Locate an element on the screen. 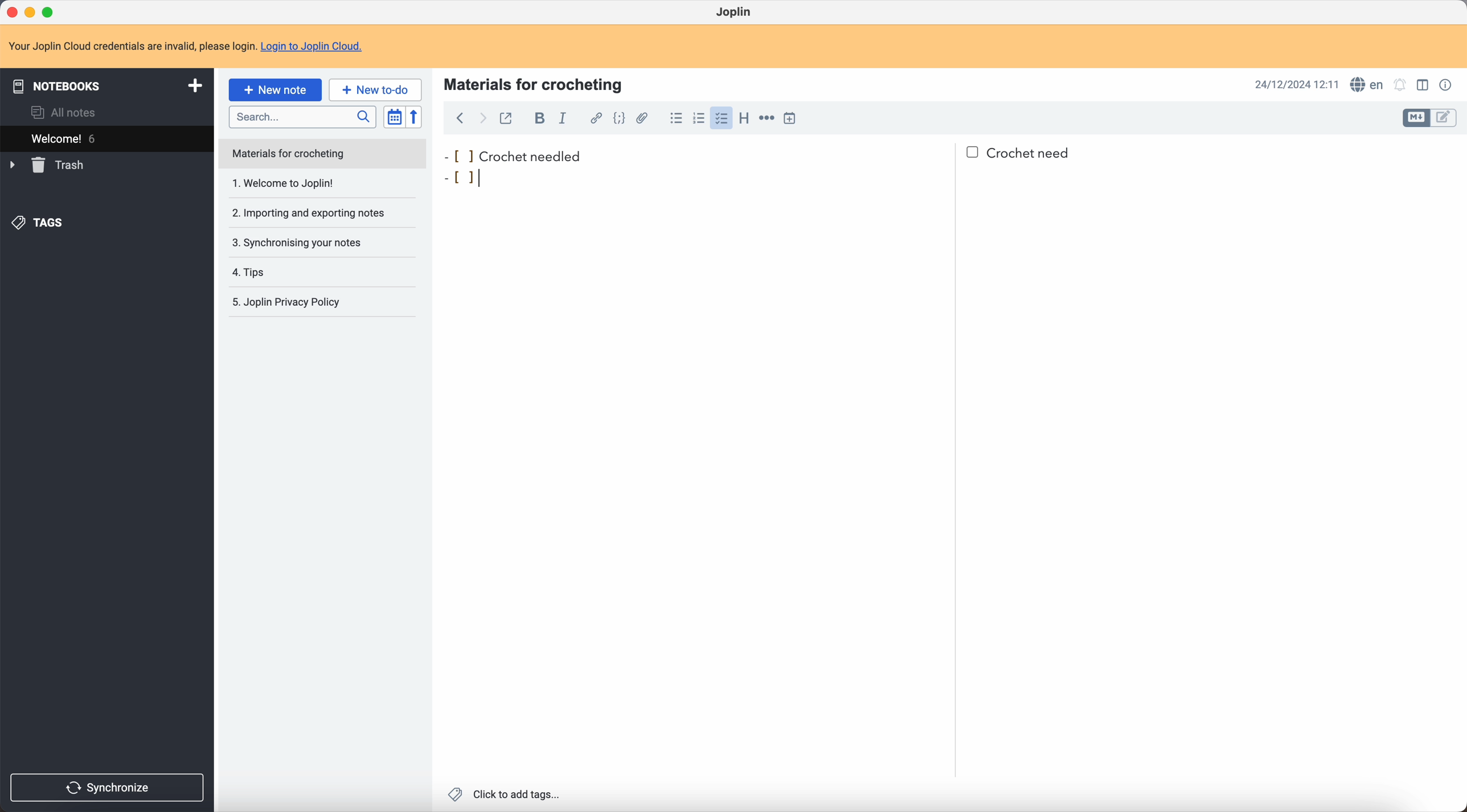 The image size is (1467, 812). toggle external editing is located at coordinates (507, 121).